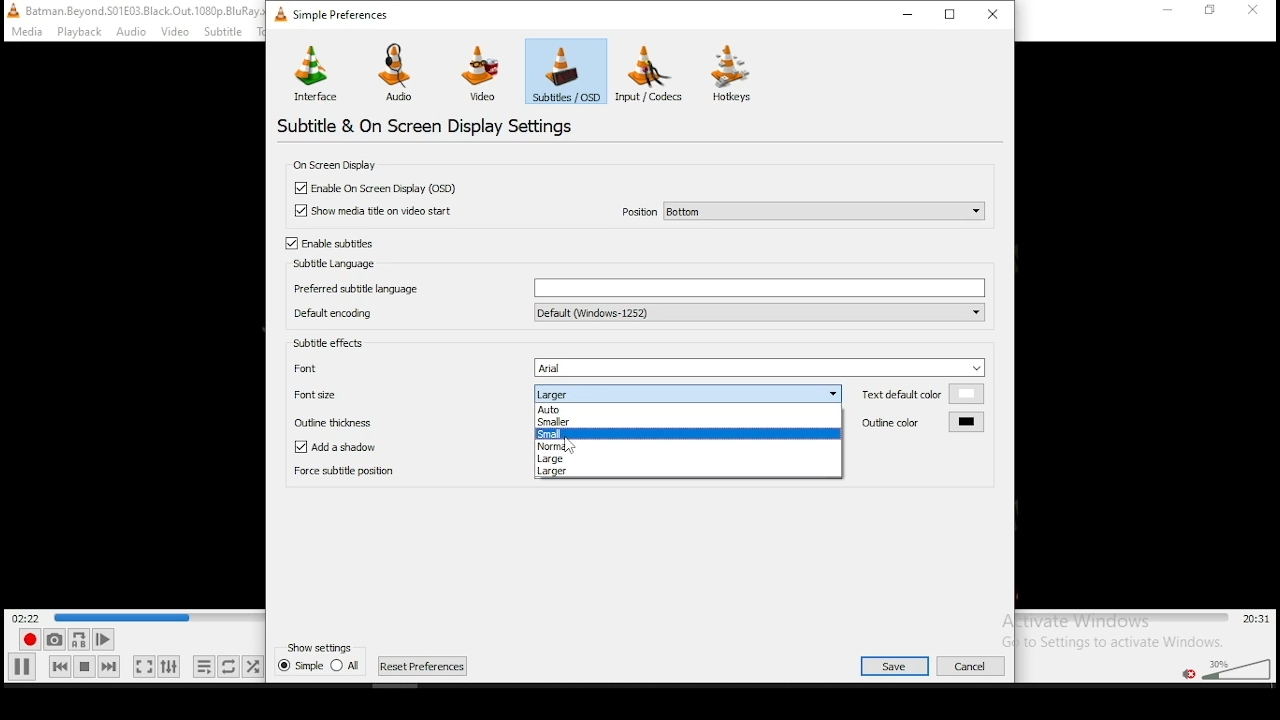 The image size is (1280, 720). What do you see at coordinates (204, 668) in the screenshot?
I see `toggle playlist` at bounding box center [204, 668].